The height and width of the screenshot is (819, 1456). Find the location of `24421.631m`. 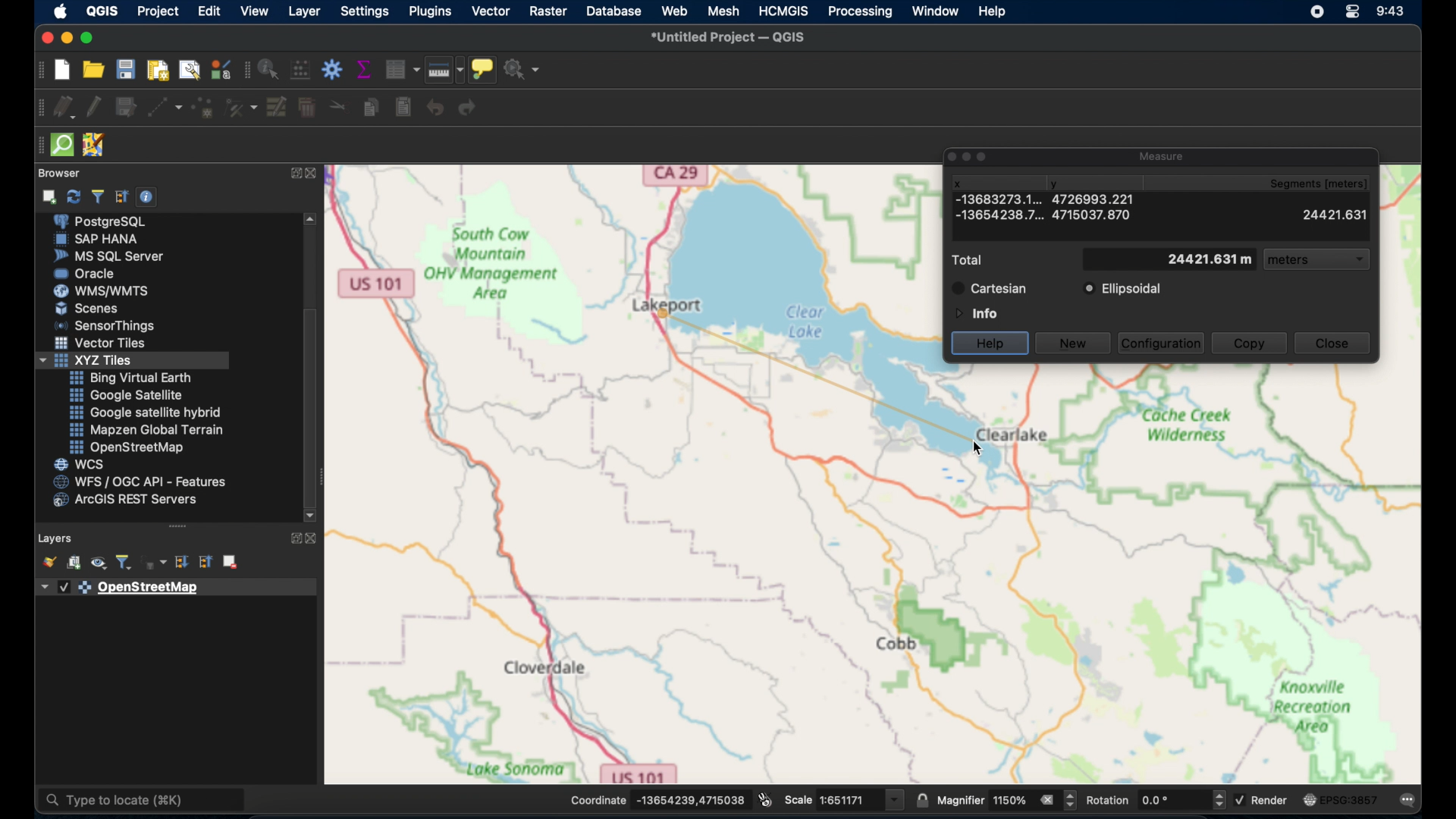

24421.631m is located at coordinates (1170, 259).